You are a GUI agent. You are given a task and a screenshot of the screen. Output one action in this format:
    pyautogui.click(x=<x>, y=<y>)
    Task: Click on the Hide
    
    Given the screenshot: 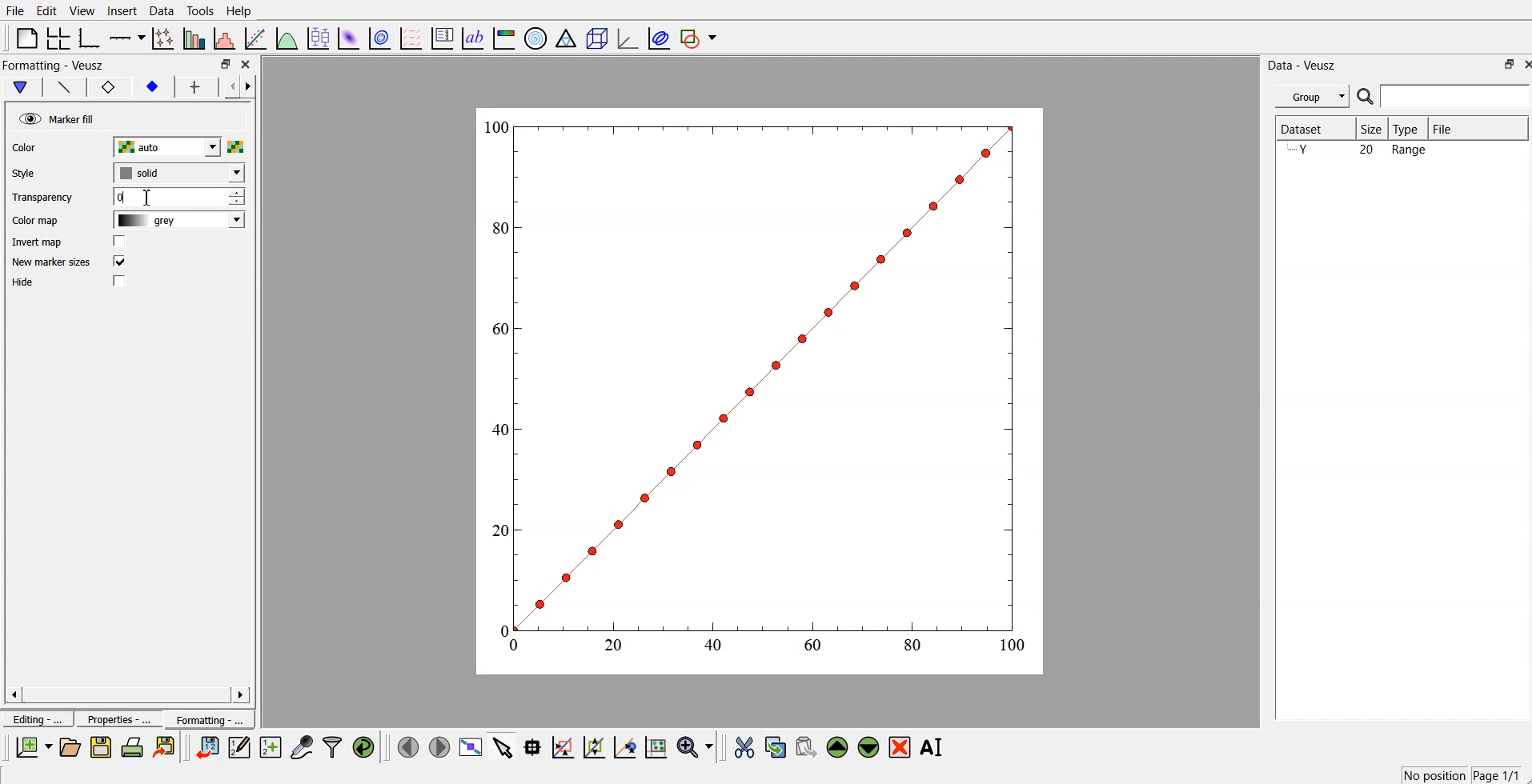 What is the action you would take?
    pyautogui.click(x=27, y=283)
    